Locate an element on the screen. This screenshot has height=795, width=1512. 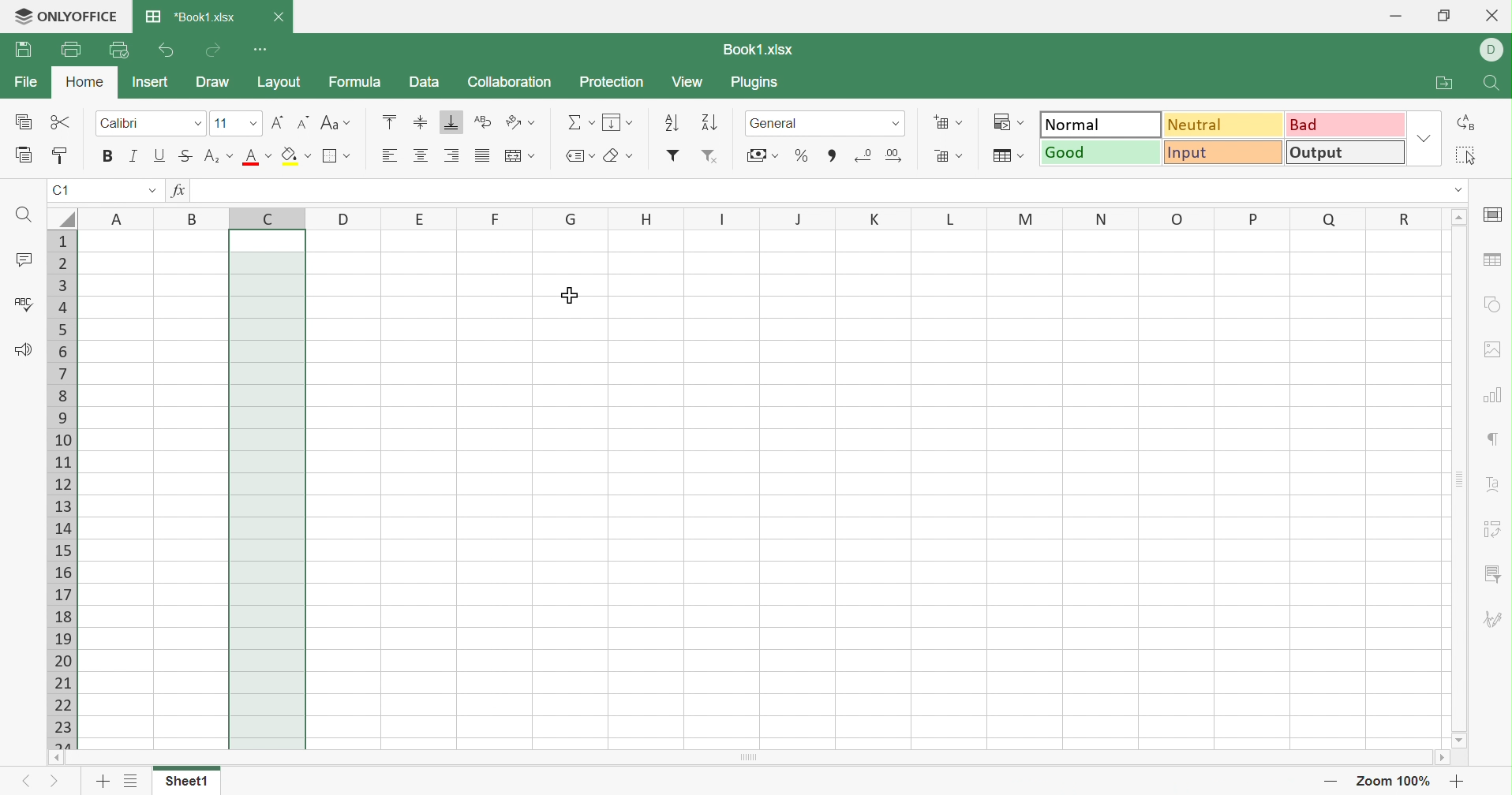
Insert filter is located at coordinates (672, 154).